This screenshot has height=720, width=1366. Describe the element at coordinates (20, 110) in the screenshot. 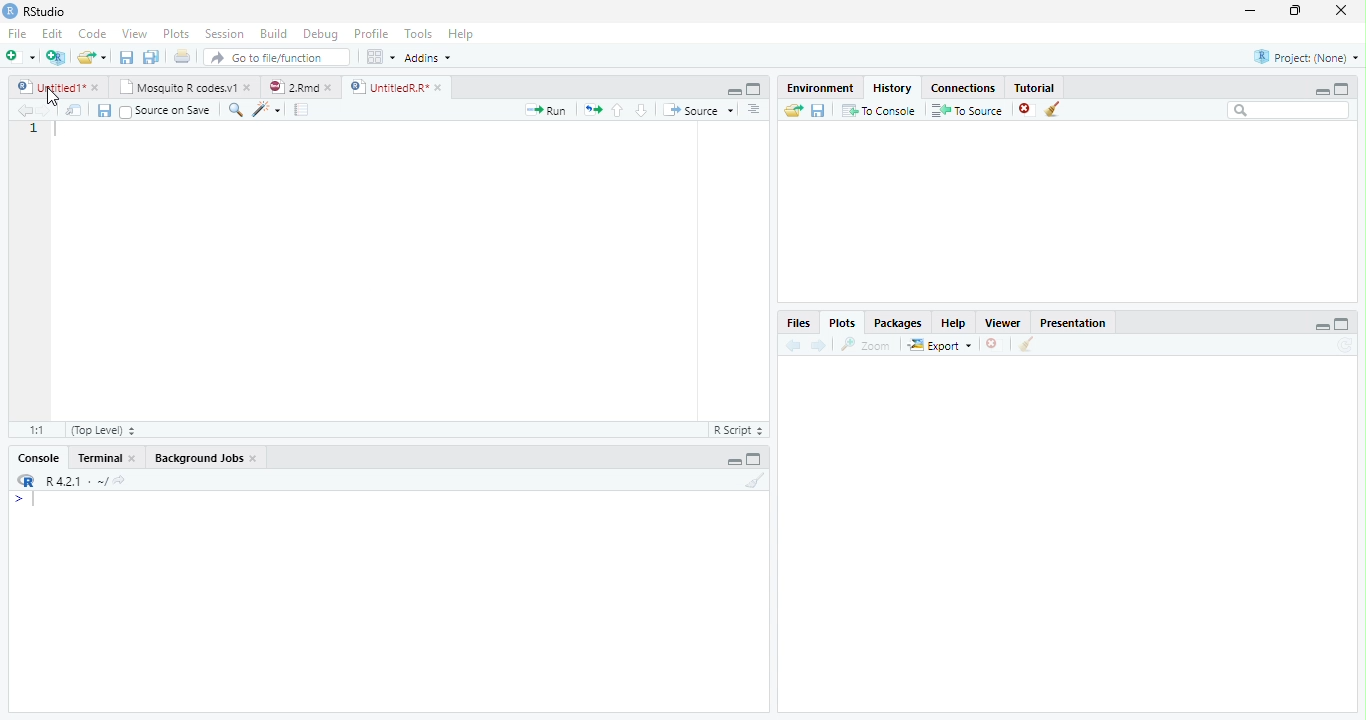

I see `back` at that location.